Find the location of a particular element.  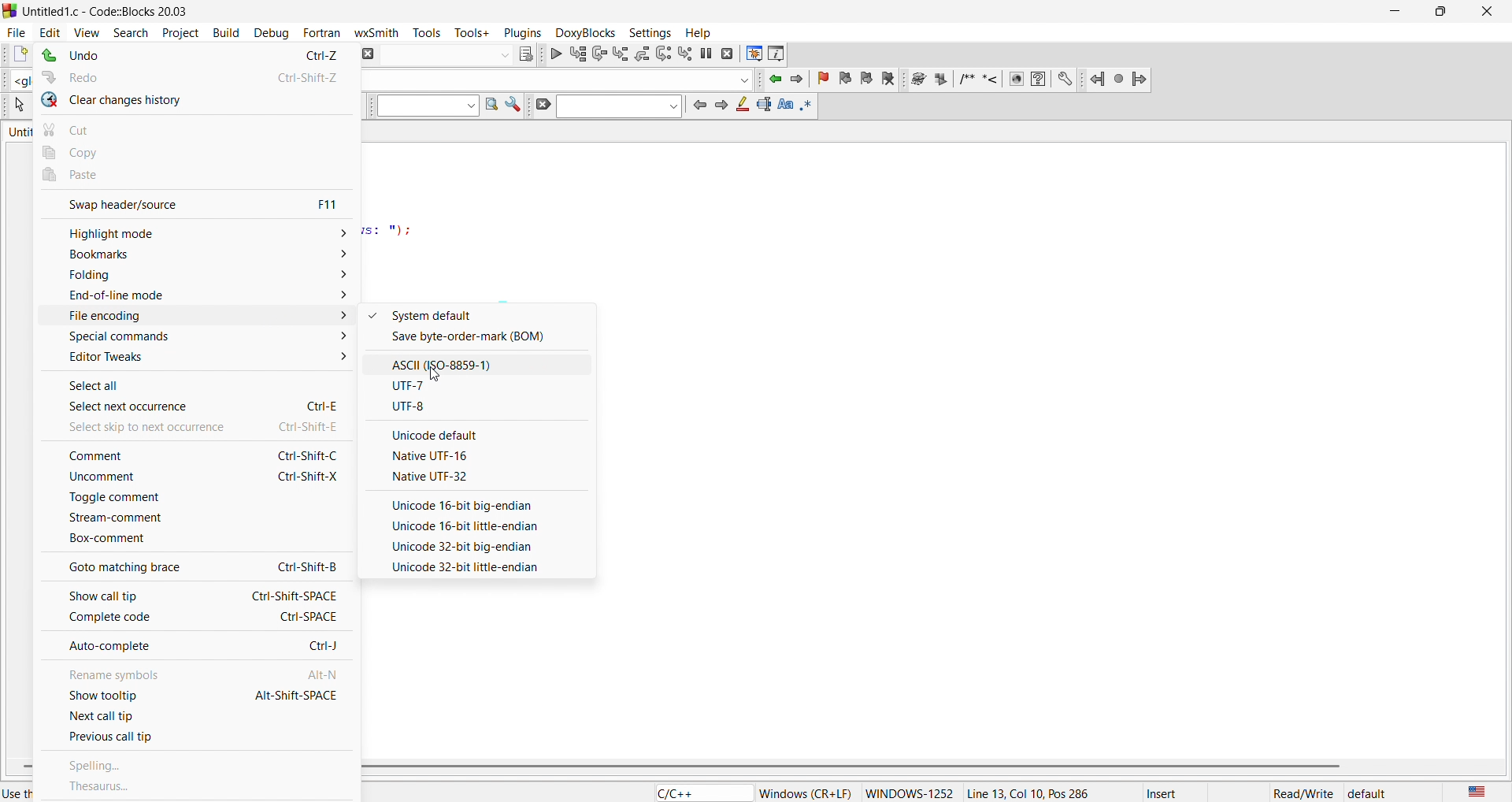

debug is located at coordinates (276, 36).